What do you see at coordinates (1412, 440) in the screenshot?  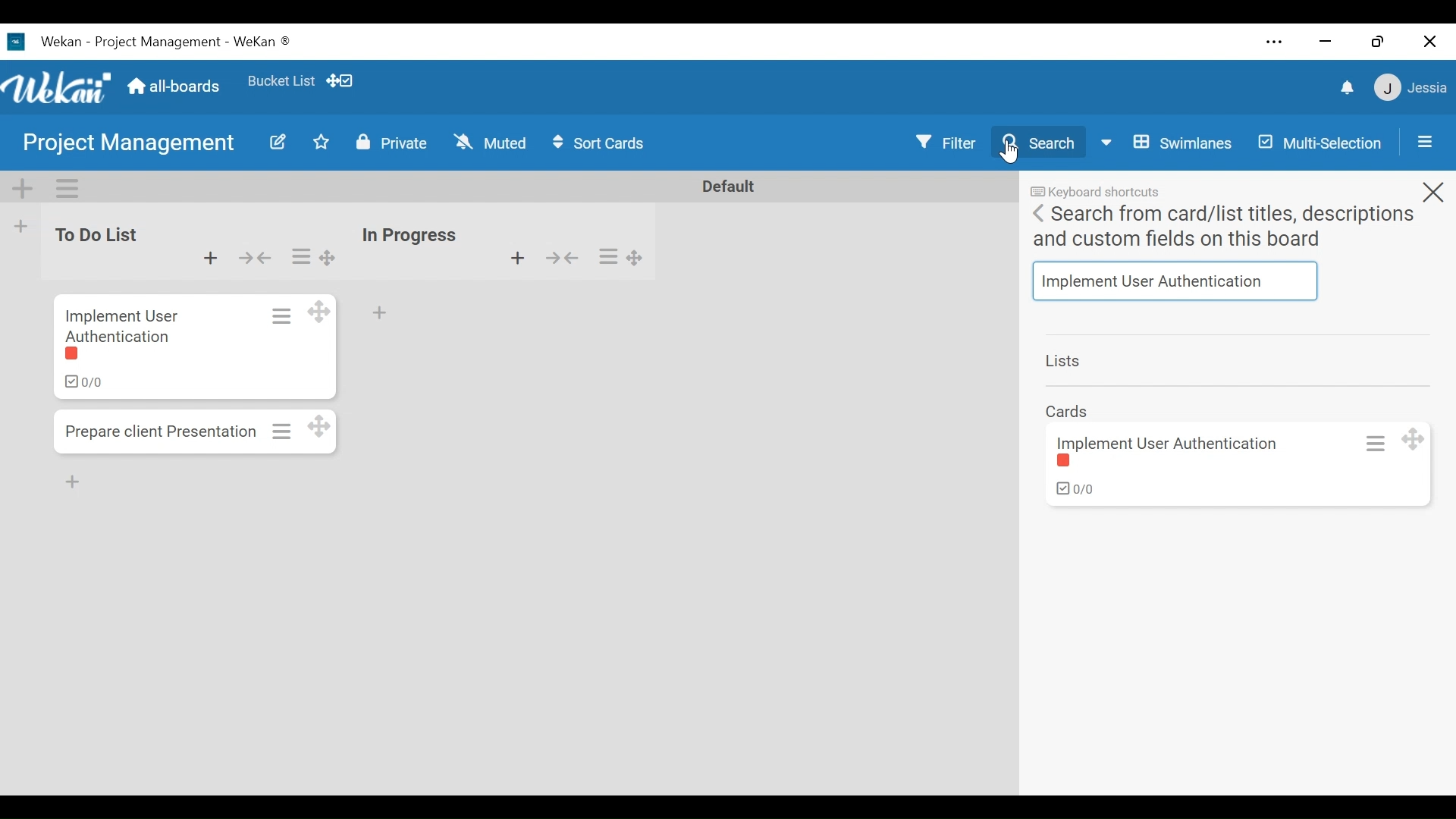 I see `Desktop drag handles` at bounding box center [1412, 440].